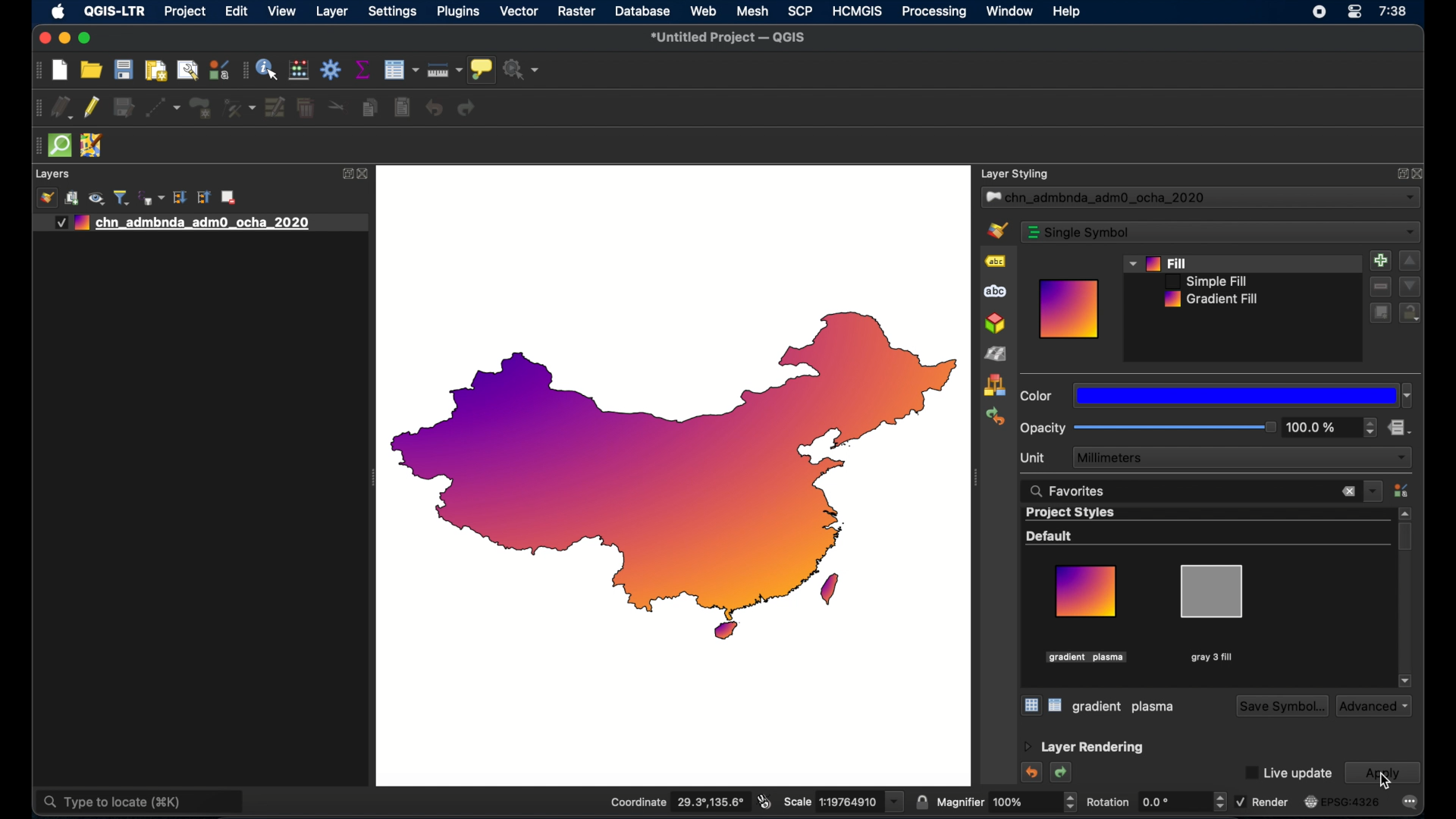 The width and height of the screenshot is (1456, 819). What do you see at coordinates (243, 71) in the screenshot?
I see `drag handle` at bounding box center [243, 71].